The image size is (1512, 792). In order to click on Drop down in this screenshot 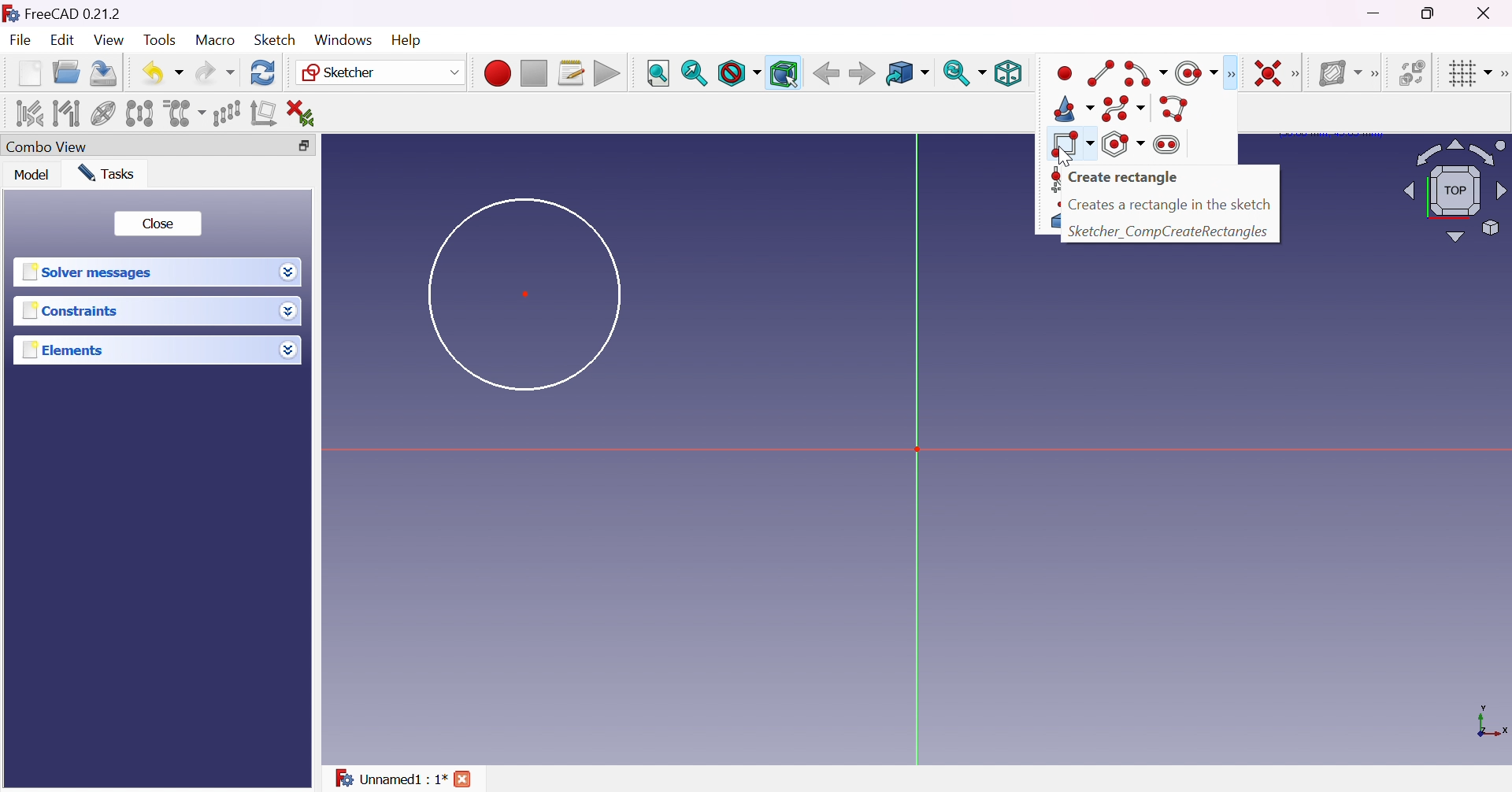, I will do `click(288, 350)`.